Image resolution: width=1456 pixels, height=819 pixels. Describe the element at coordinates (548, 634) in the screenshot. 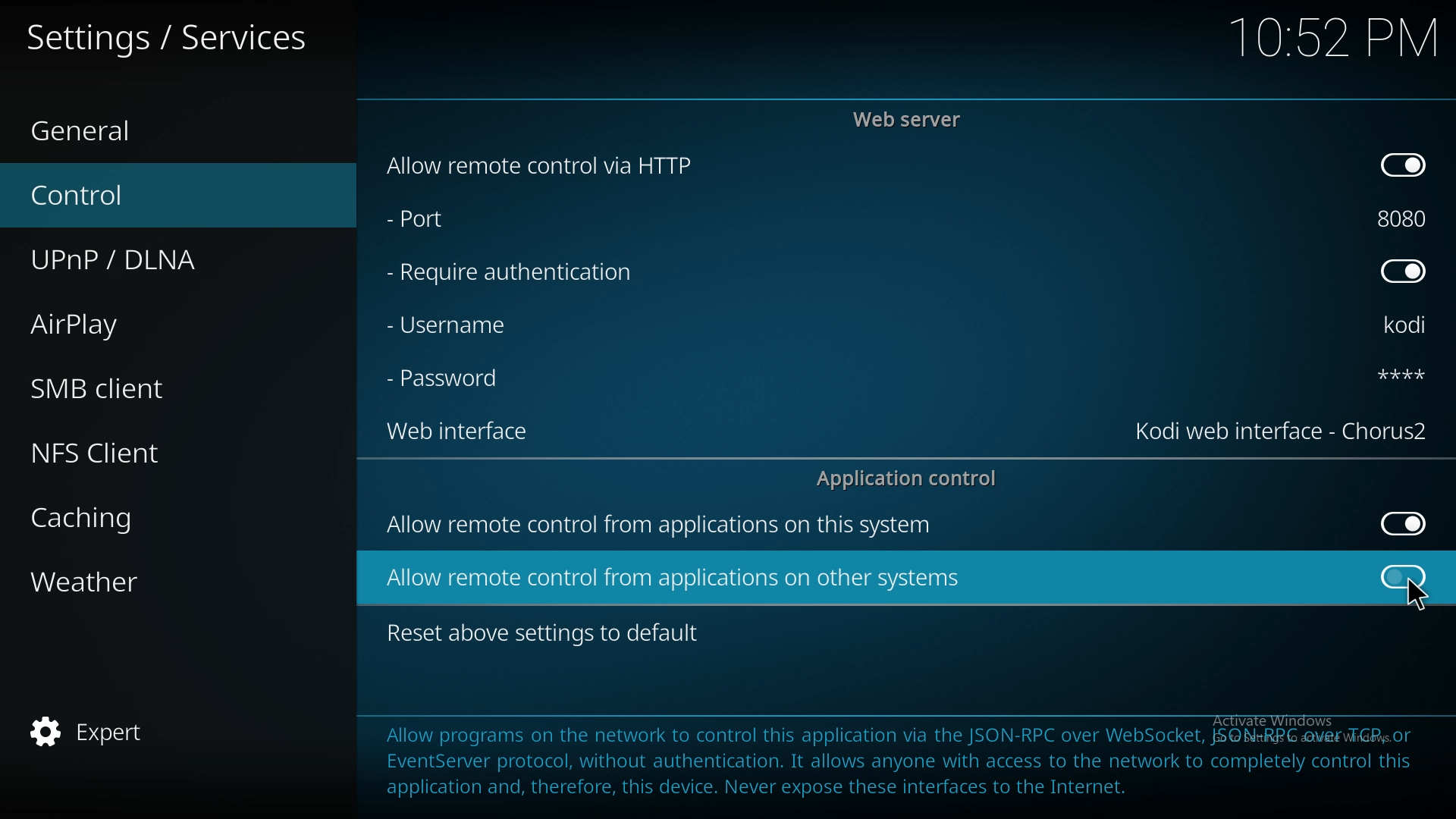

I see `reset` at that location.